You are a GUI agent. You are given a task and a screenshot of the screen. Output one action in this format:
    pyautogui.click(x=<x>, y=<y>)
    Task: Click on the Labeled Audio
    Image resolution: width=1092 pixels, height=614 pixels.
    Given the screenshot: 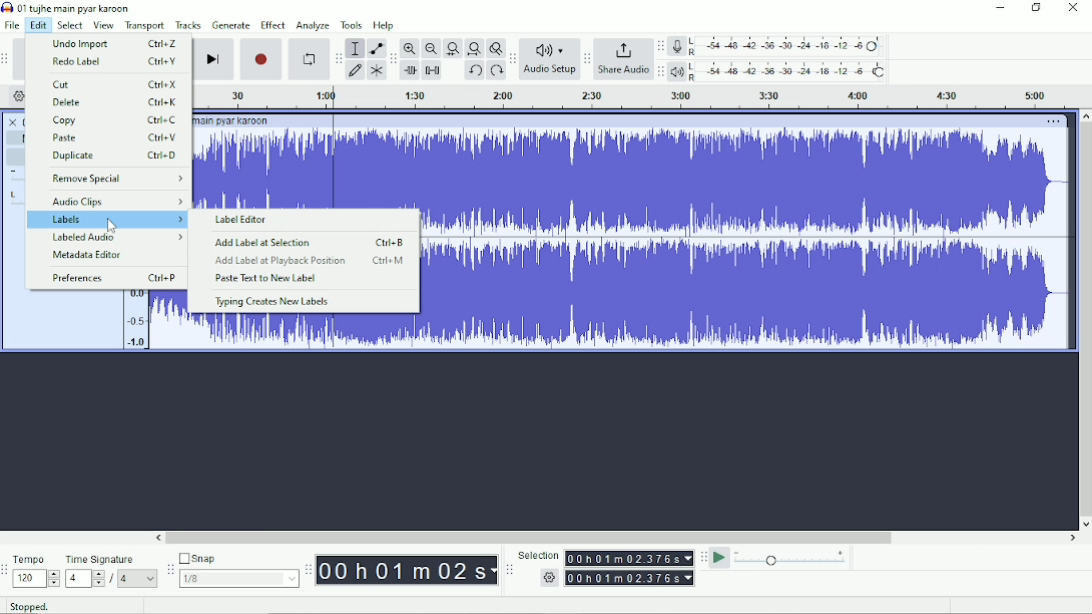 What is the action you would take?
    pyautogui.click(x=117, y=238)
    